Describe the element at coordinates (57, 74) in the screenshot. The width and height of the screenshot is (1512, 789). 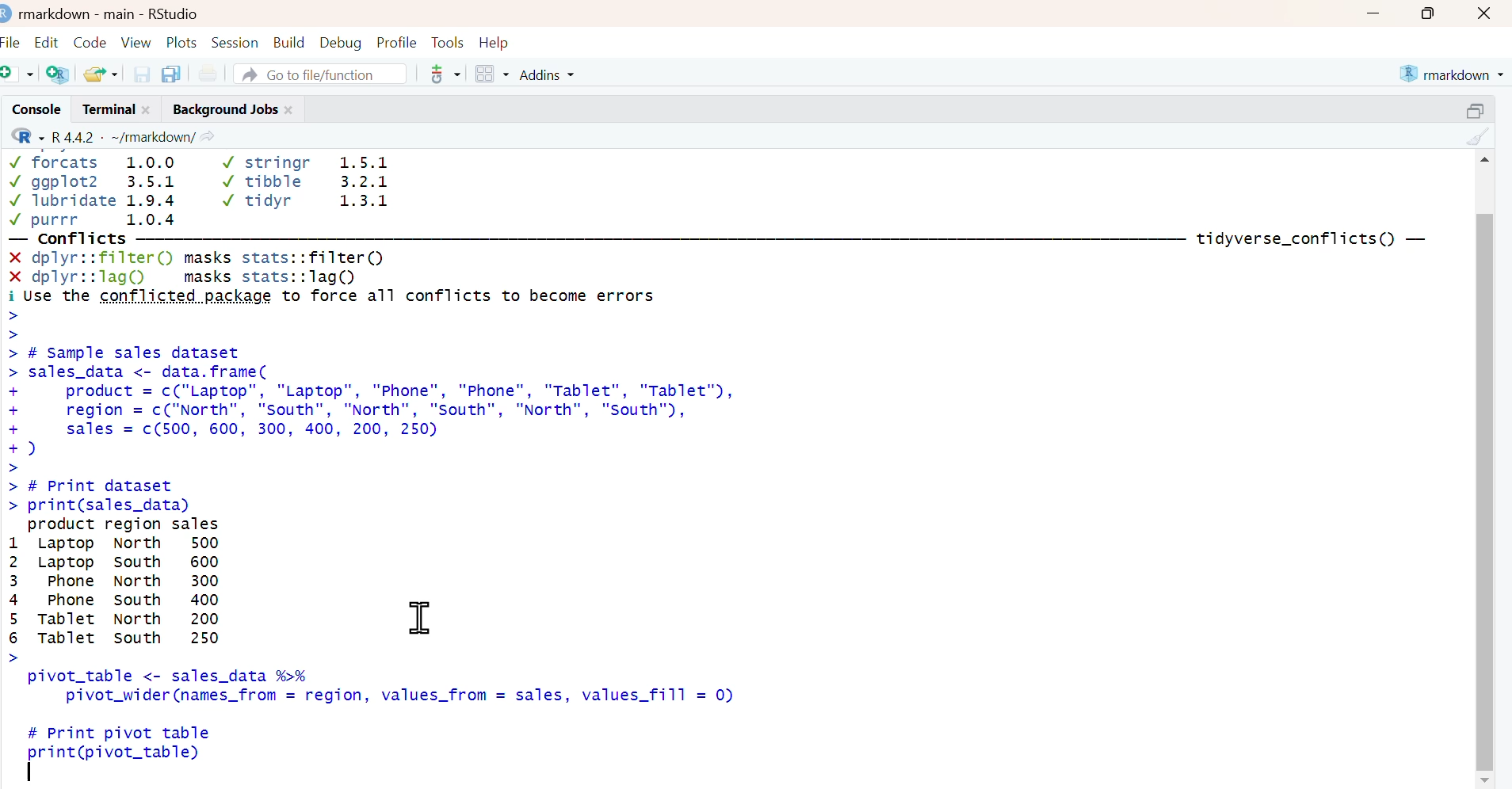
I see `create project` at that location.